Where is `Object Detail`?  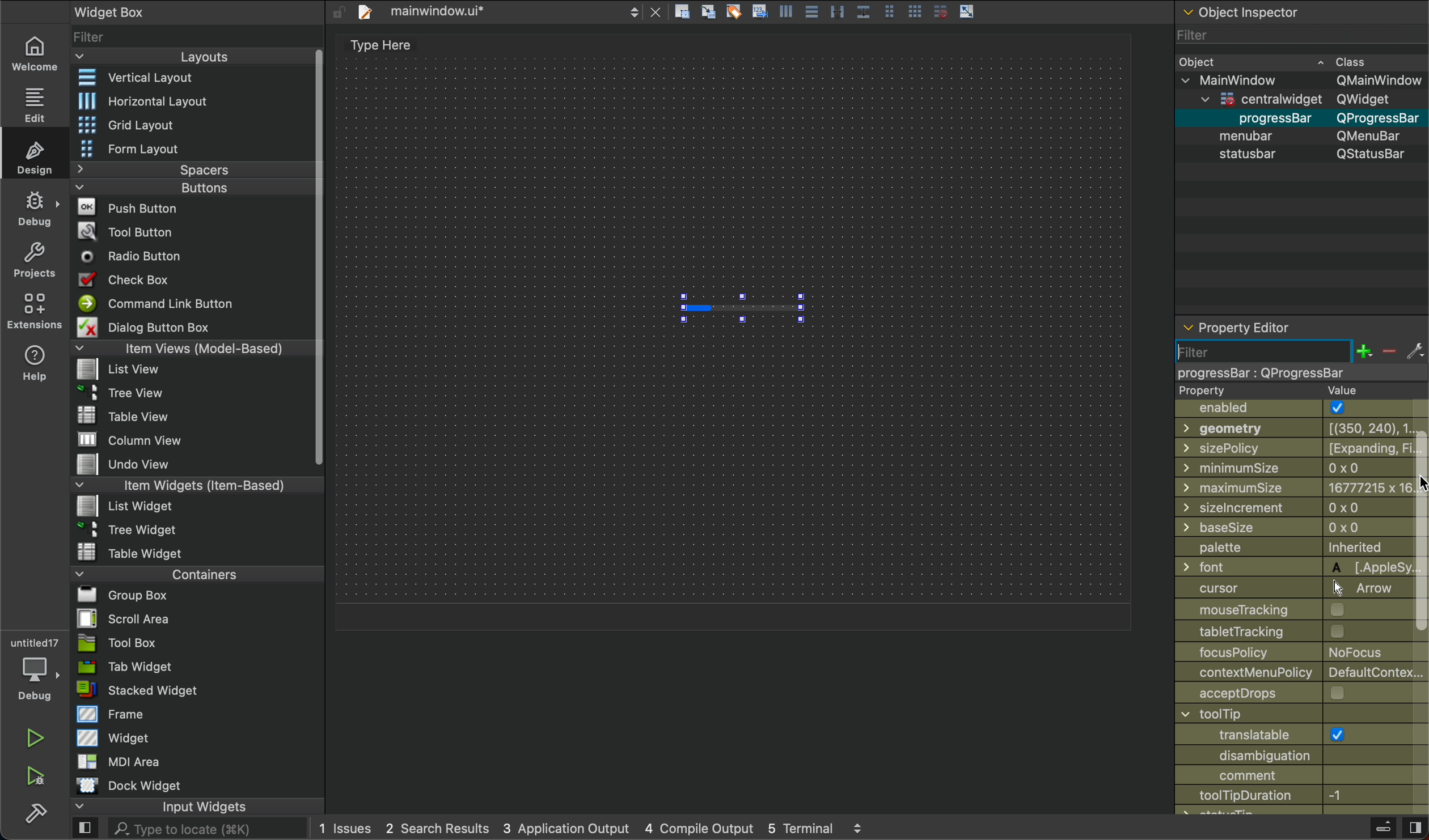 Object Detail is located at coordinates (1300, 107).